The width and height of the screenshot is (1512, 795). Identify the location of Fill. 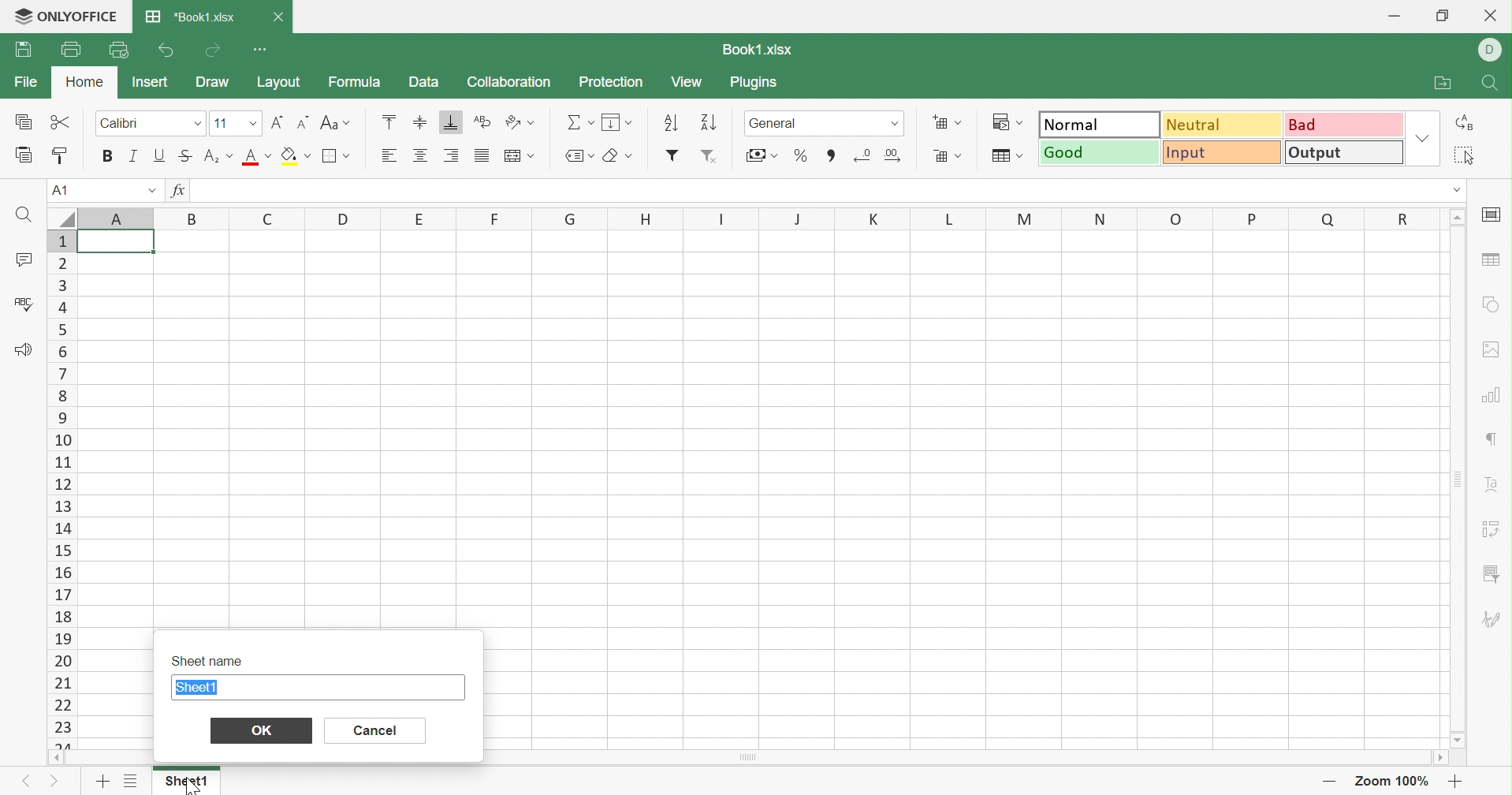
(619, 121).